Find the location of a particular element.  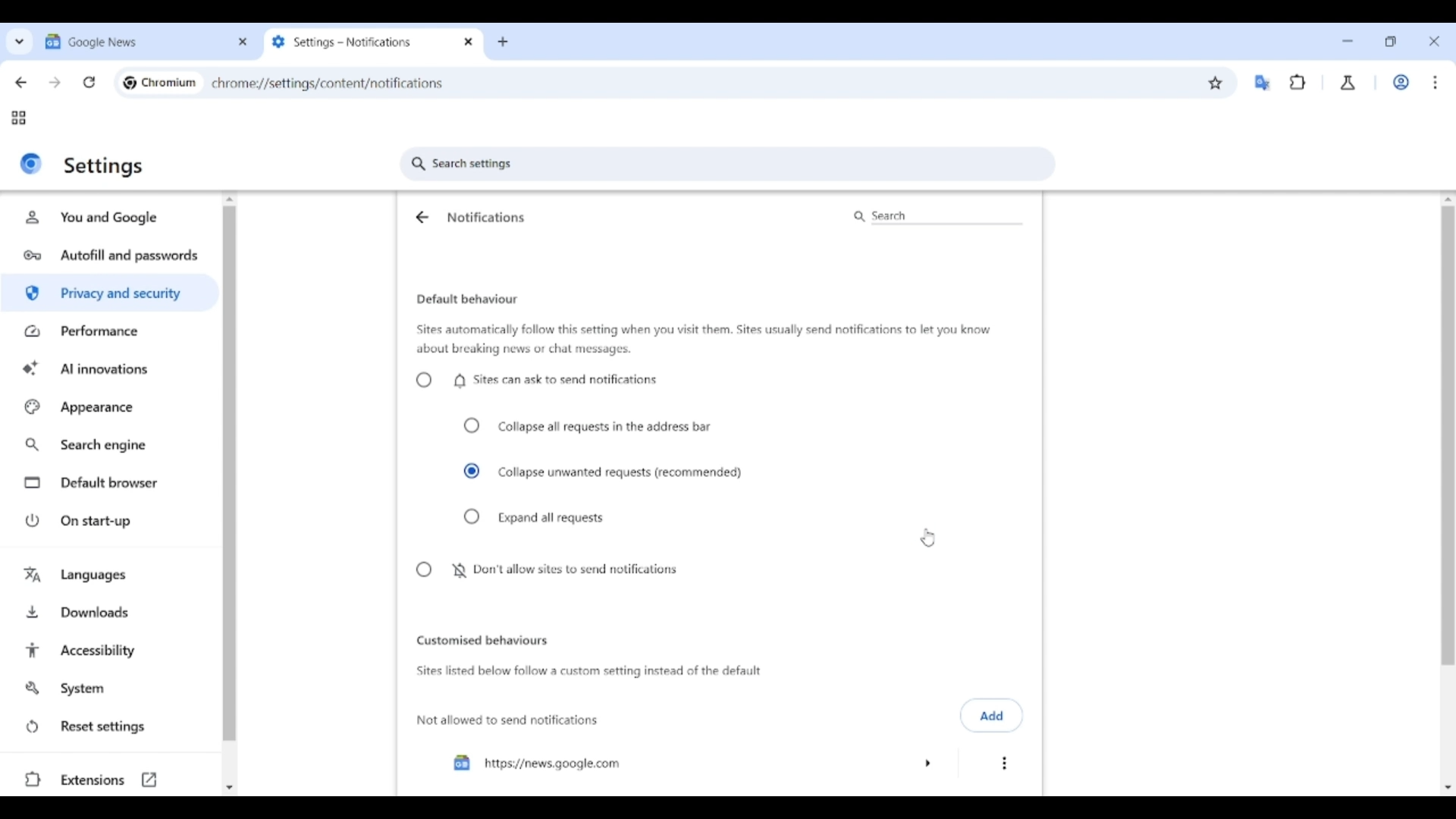

Don't allow sites to send notifications is located at coordinates (545, 570).